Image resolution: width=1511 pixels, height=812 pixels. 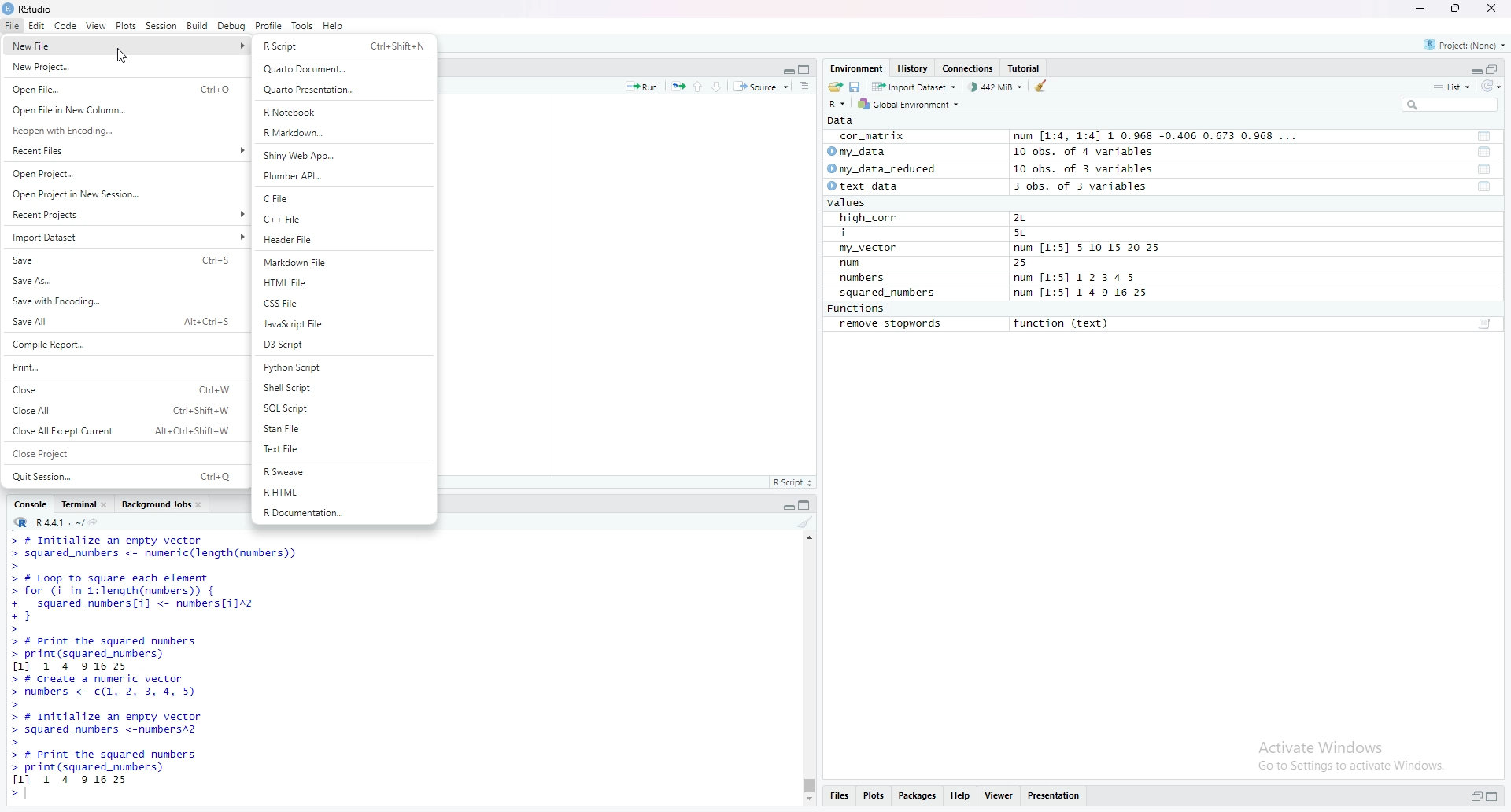 What do you see at coordinates (873, 135) in the screenshot?
I see `cor_matrix` at bounding box center [873, 135].